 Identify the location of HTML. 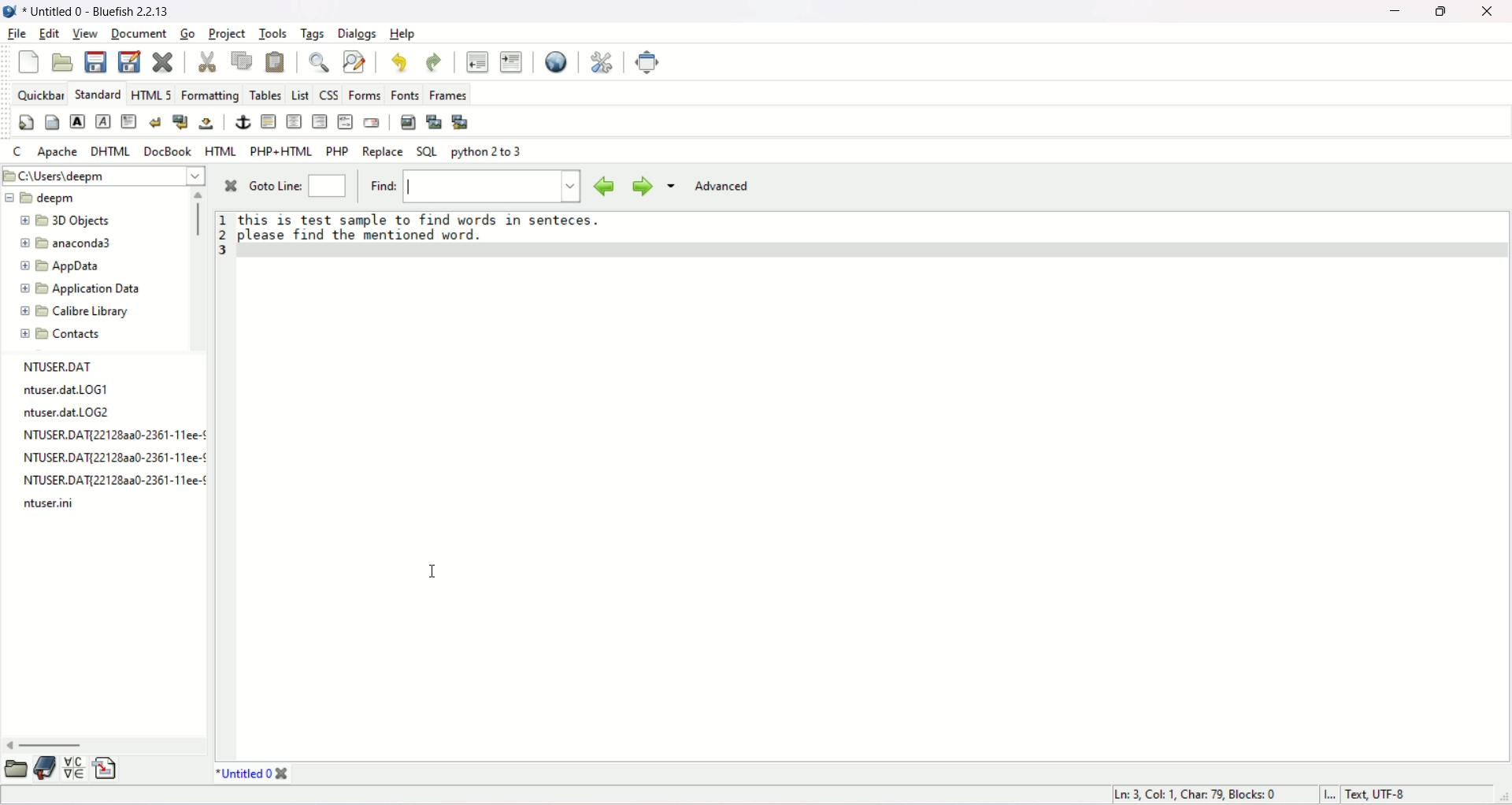
(220, 150).